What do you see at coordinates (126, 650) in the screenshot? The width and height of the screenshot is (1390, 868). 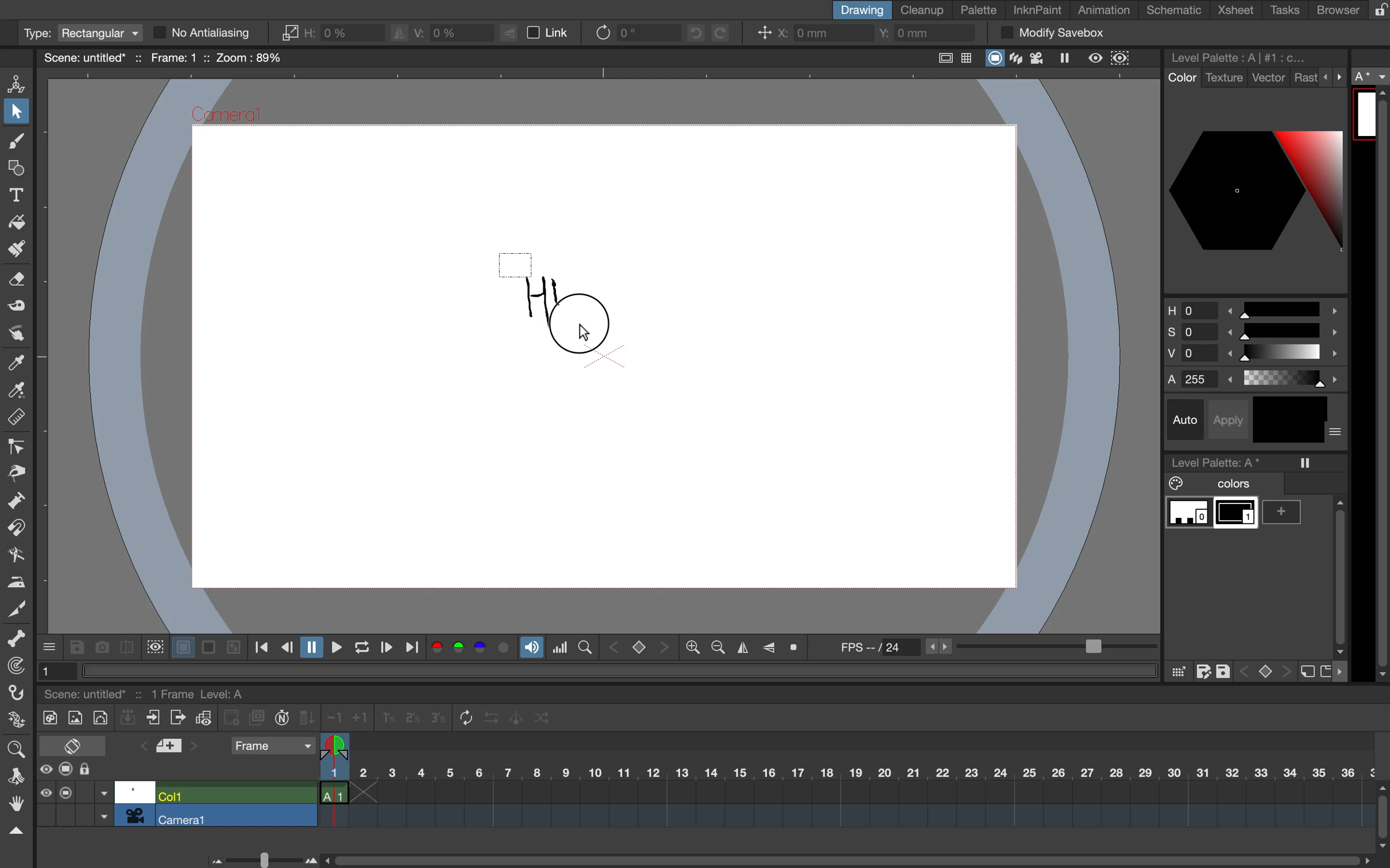 I see `compare to snapshot` at bounding box center [126, 650].